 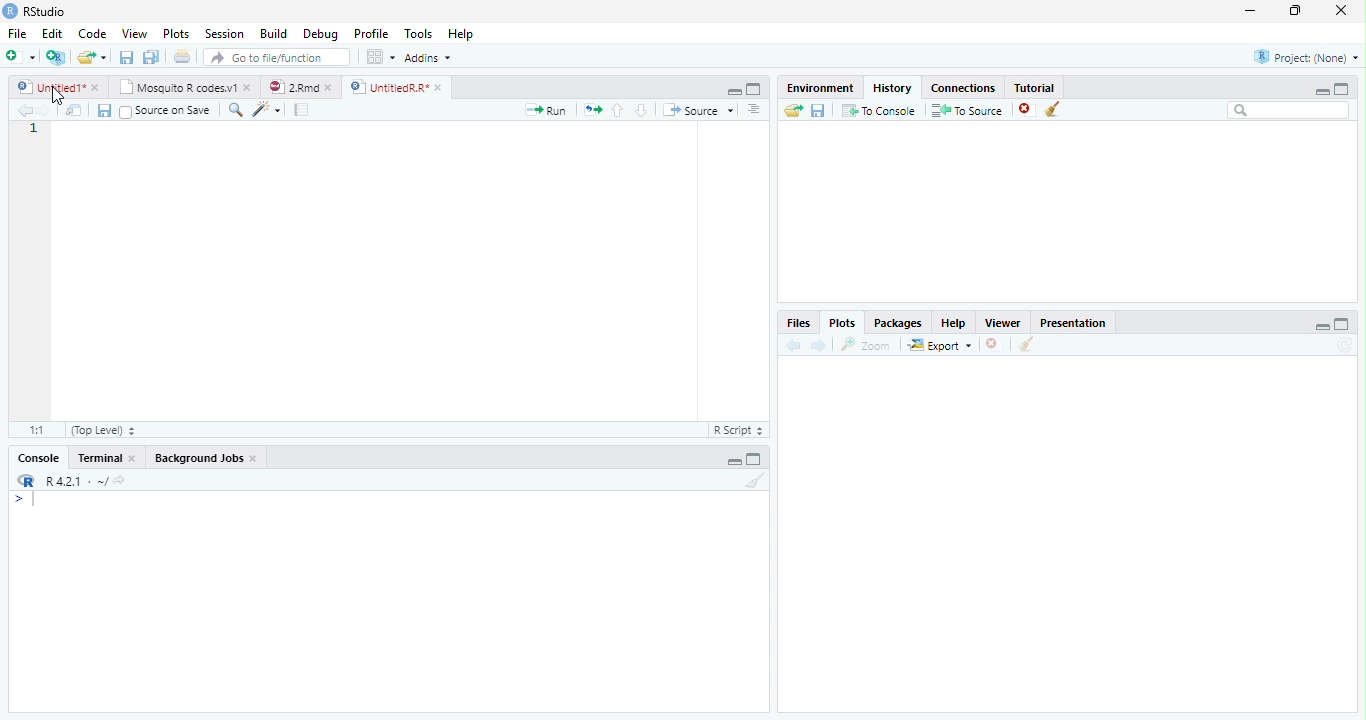 I want to click on New file, so click(x=19, y=57).